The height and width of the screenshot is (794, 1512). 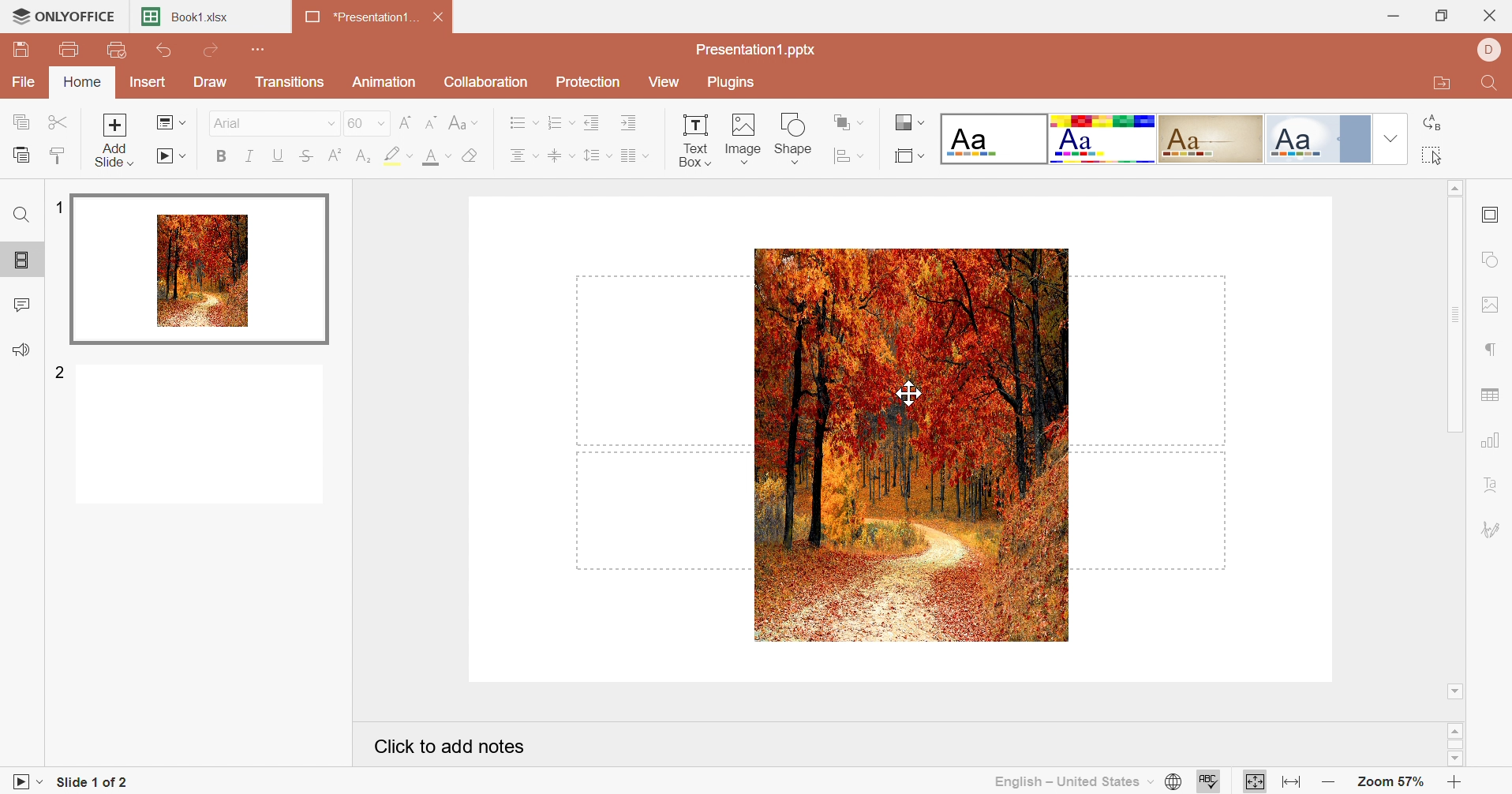 What do you see at coordinates (1490, 88) in the screenshot?
I see `Find` at bounding box center [1490, 88].